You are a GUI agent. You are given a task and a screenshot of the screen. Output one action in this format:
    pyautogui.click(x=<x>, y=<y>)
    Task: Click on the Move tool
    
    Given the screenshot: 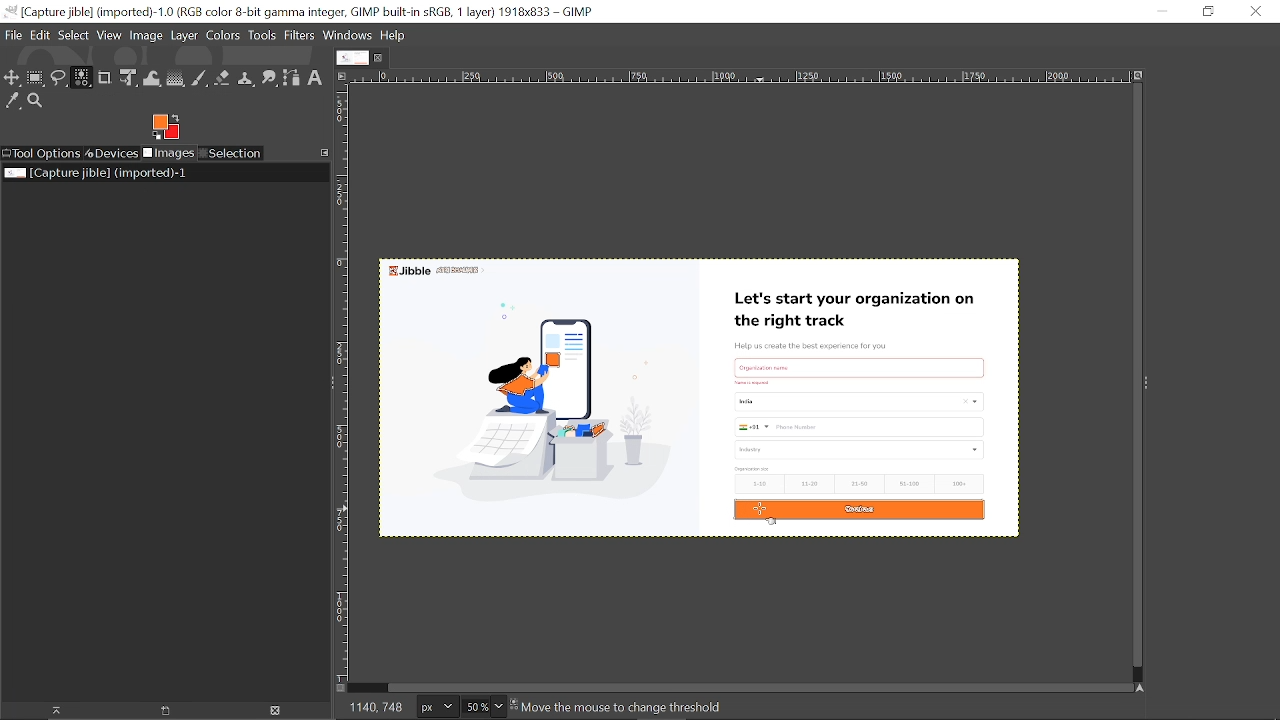 What is the action you would take?
    pyautogui.click(x=12, y=79)
    